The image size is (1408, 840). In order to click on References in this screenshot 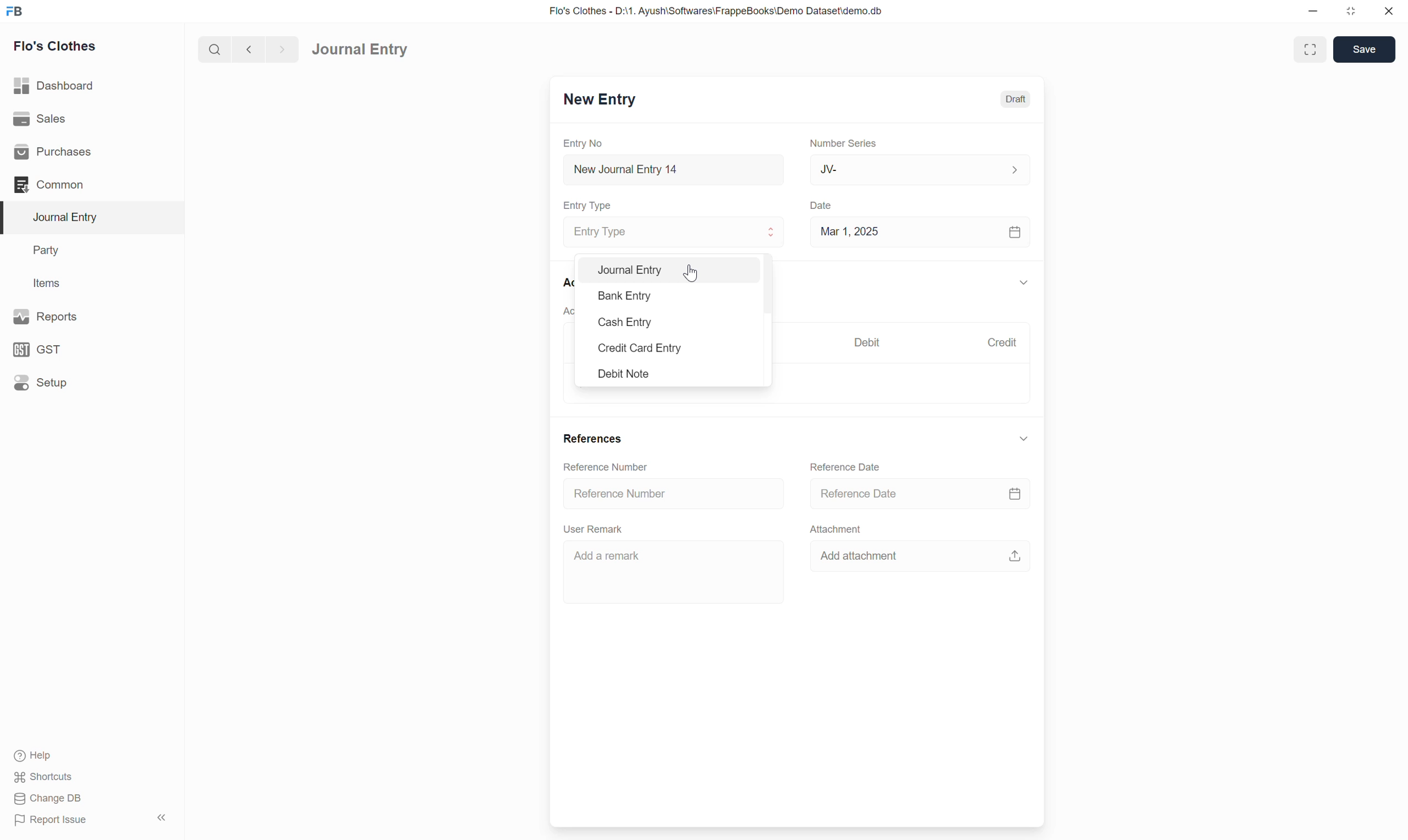, I will do `click(592, 438)`.